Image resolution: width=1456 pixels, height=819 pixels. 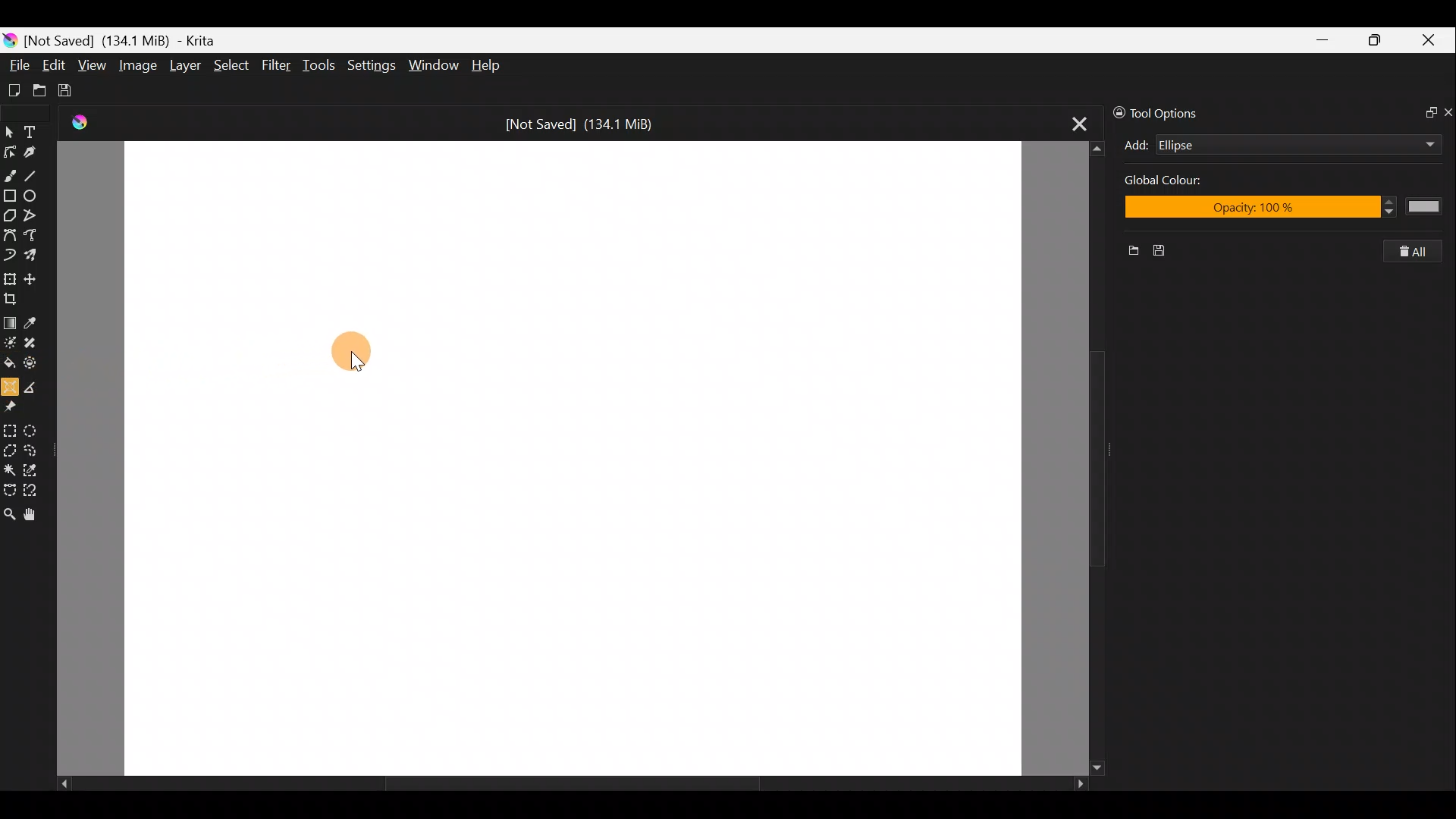 What do you see at coordinates (30, 514) in the screenshot?
I see `Pan tool` at bounding box center [30, 514].